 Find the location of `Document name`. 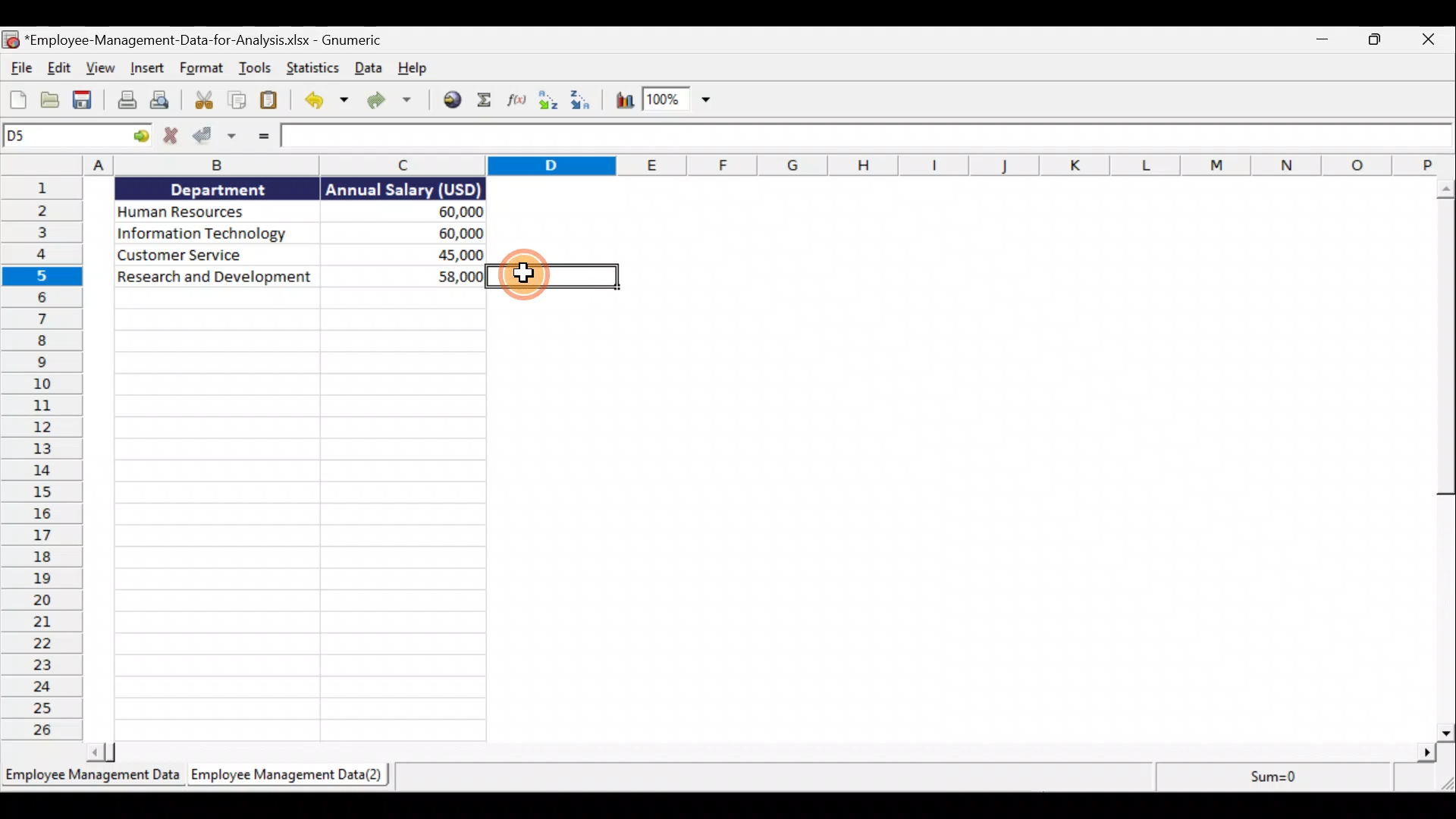

Document name is located at coordinates (196, 37).